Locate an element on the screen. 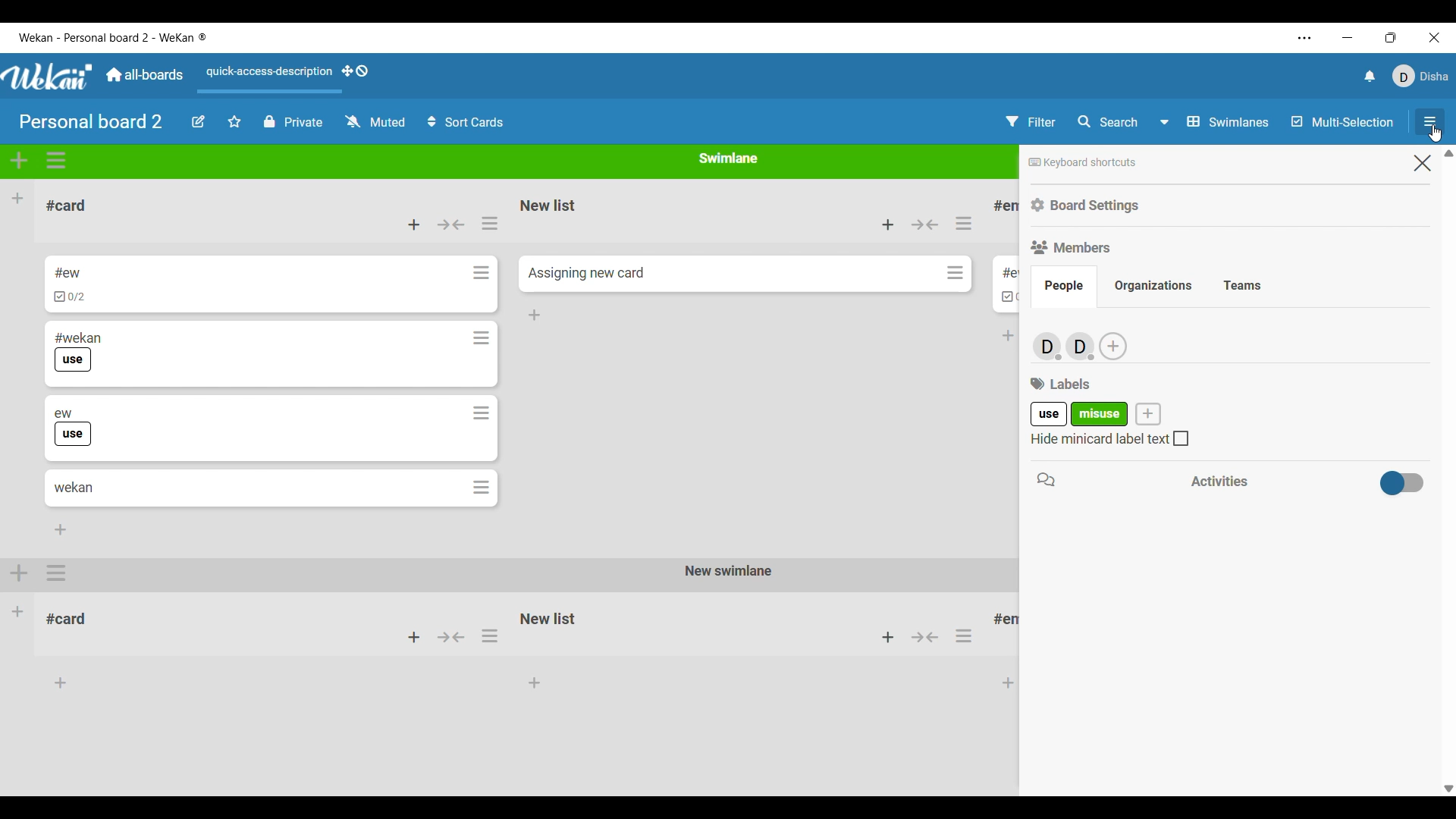  Show desktop drag handles is located at coordinates (355, 71).